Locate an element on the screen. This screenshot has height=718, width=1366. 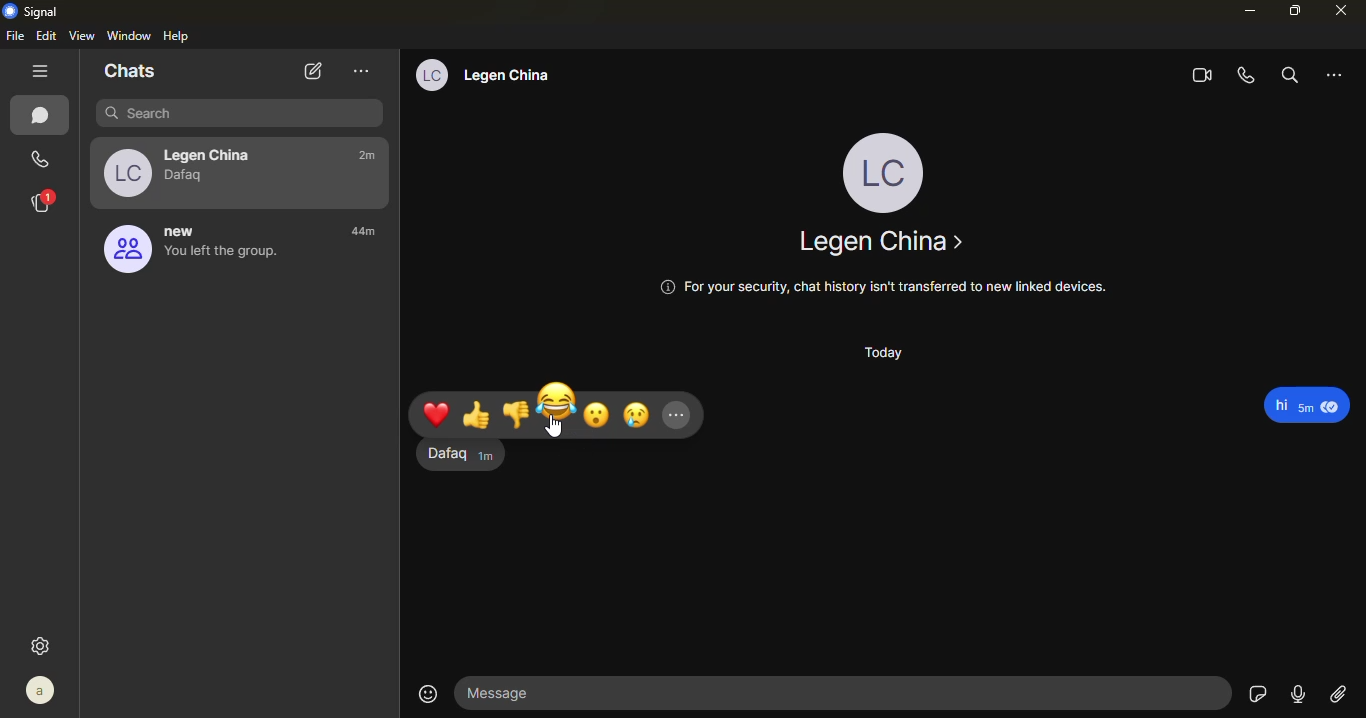
today is located at coordinates (880, 354).